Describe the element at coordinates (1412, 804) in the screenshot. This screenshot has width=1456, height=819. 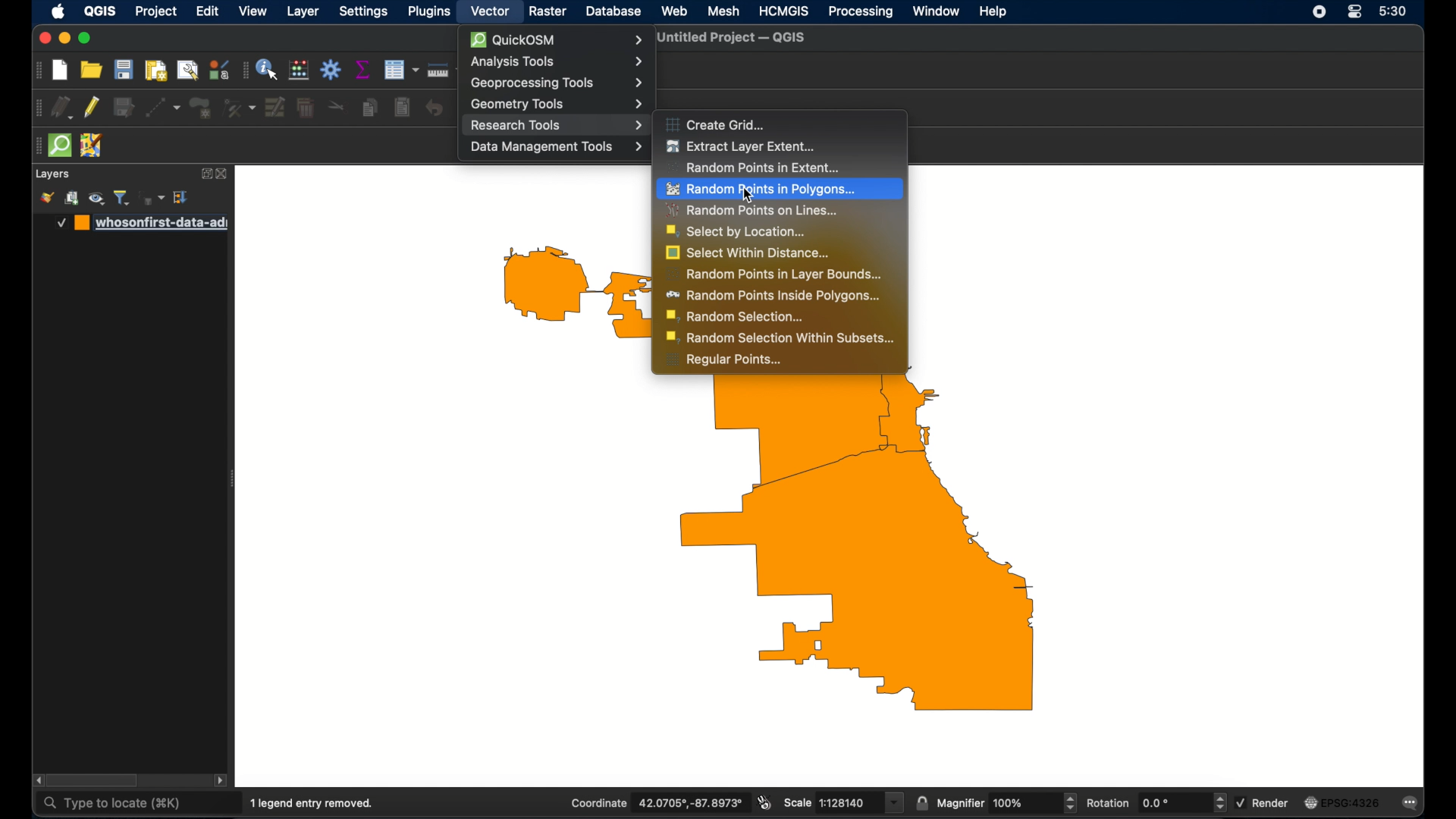
I see `messages` at that location.